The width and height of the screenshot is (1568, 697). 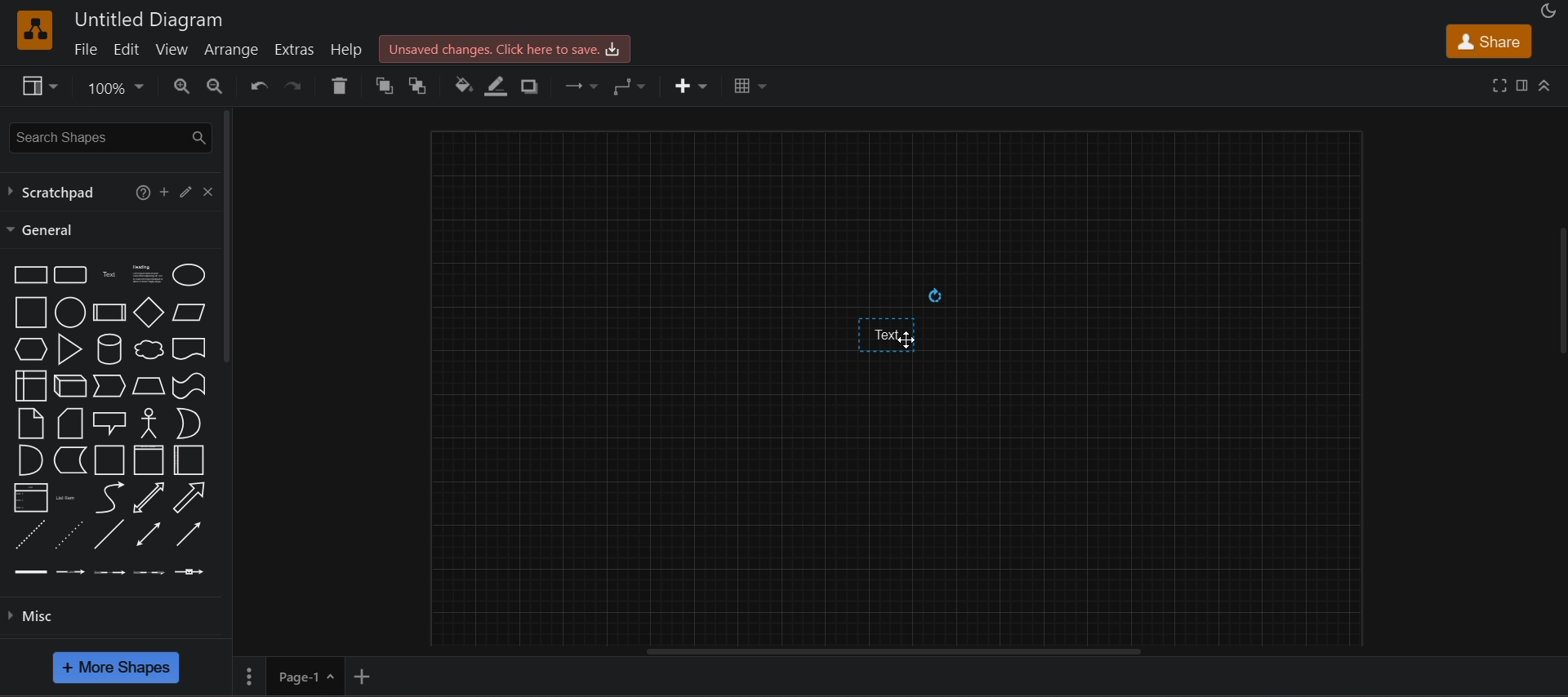 What do you see at coordinates (906, 340) in the screenshot?
I see `Cursor` at bounding box center [906, 340].